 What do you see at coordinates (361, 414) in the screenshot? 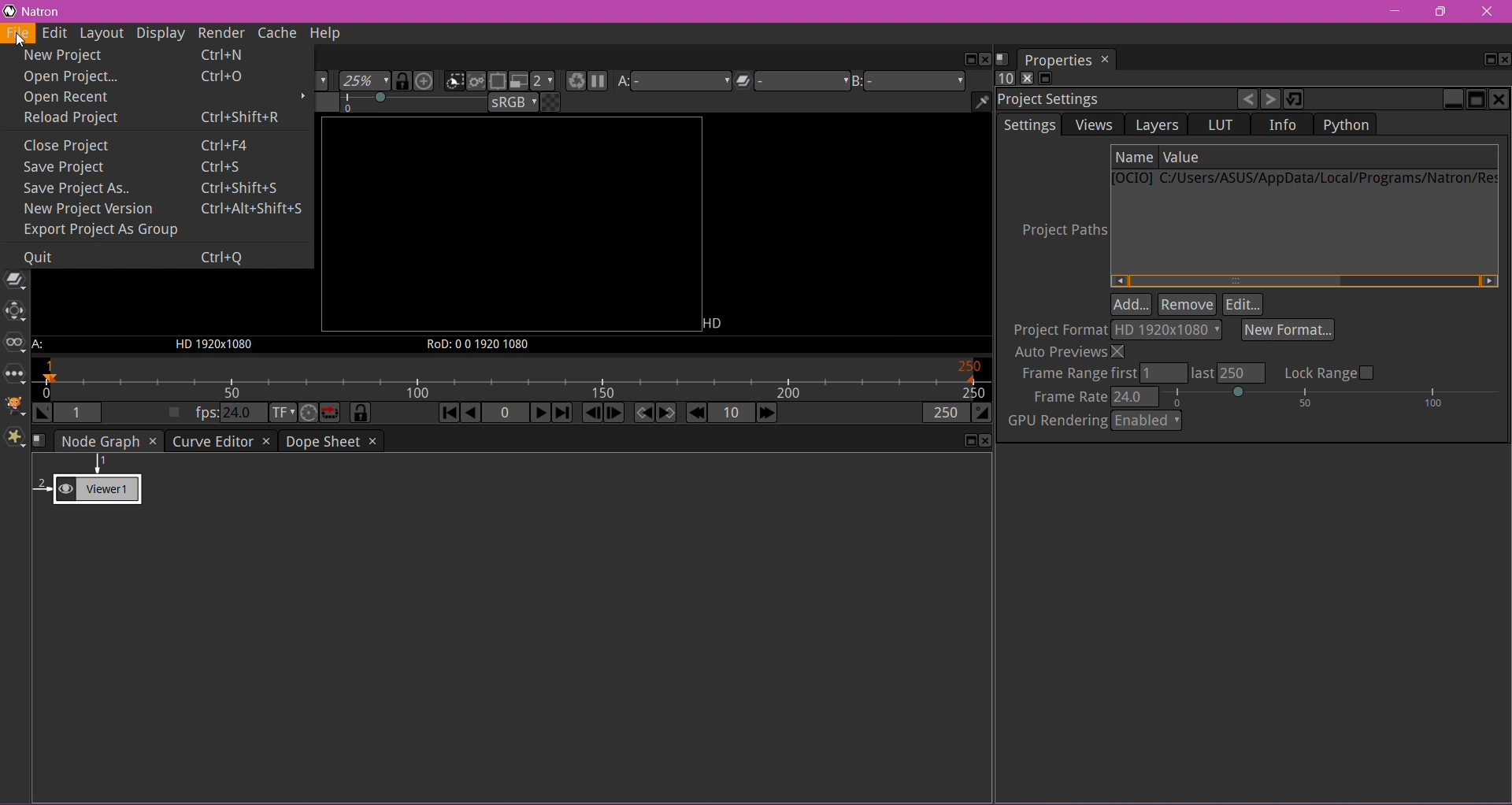
I see `When activated, the timeline frame-range is synchronized with the Dope Sheet and the curve Editor` at bounding box center [361, 414].